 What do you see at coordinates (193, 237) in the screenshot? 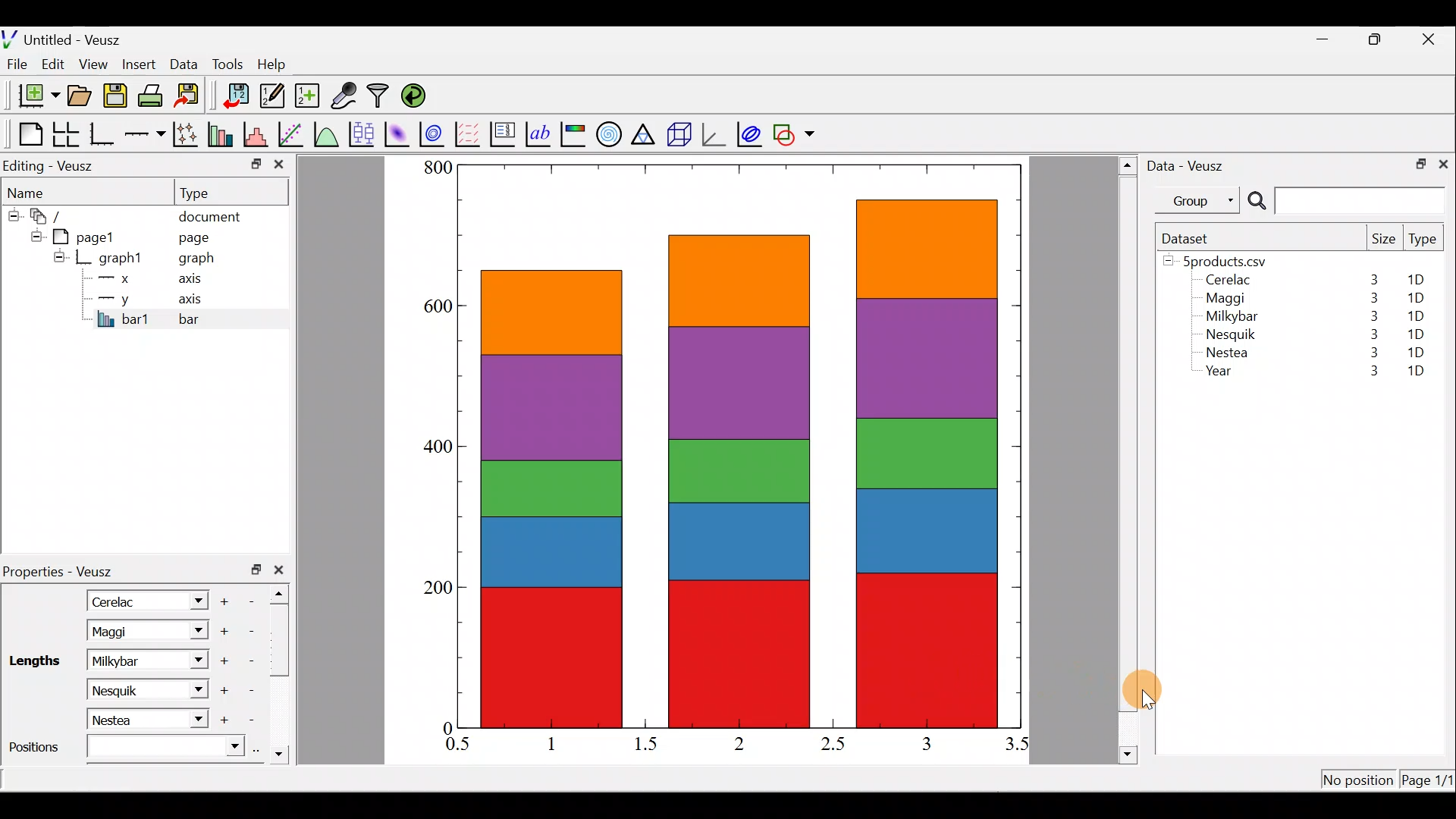
I see `page` at bounding box center [193, 237].